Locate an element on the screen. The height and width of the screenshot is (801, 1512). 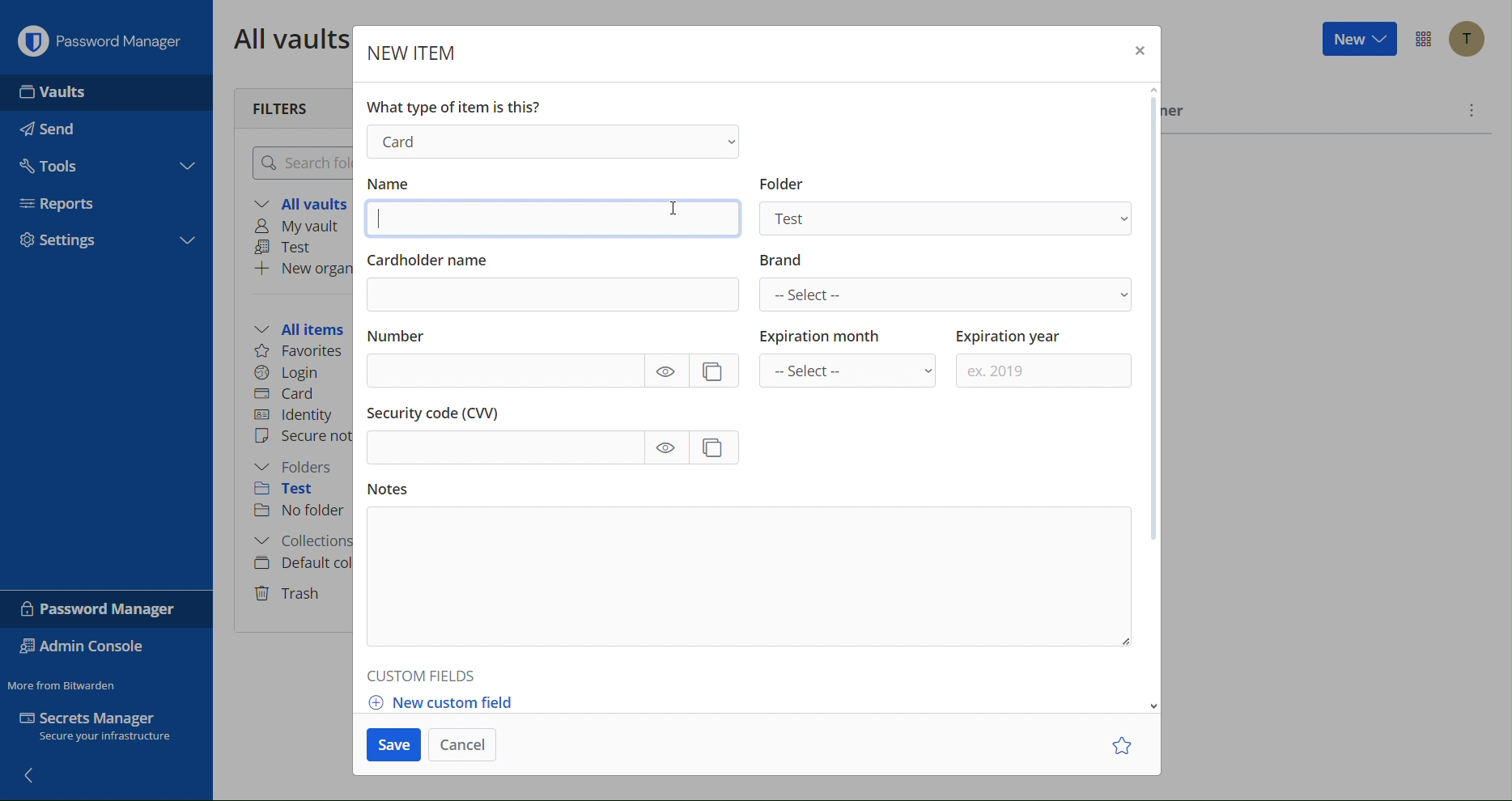
Cancel is located at coordinates (462, 746).